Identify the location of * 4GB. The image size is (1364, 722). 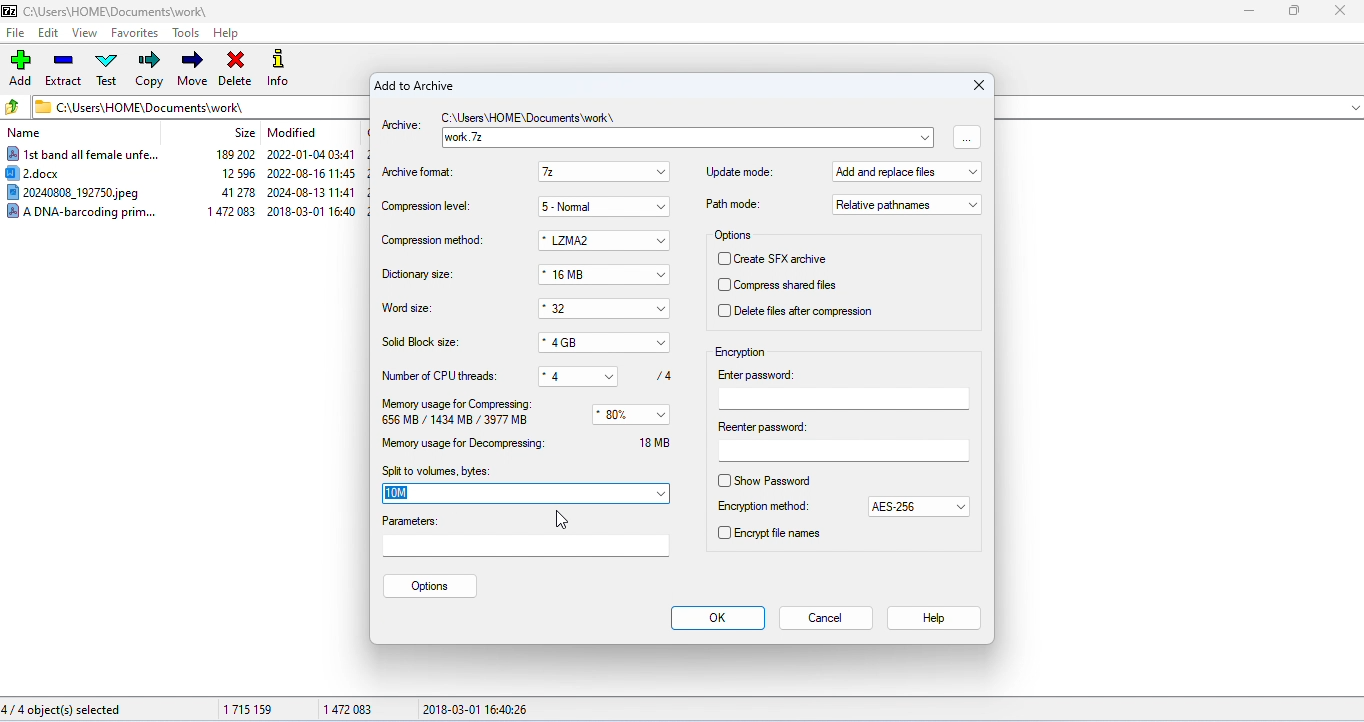
(592, 343).